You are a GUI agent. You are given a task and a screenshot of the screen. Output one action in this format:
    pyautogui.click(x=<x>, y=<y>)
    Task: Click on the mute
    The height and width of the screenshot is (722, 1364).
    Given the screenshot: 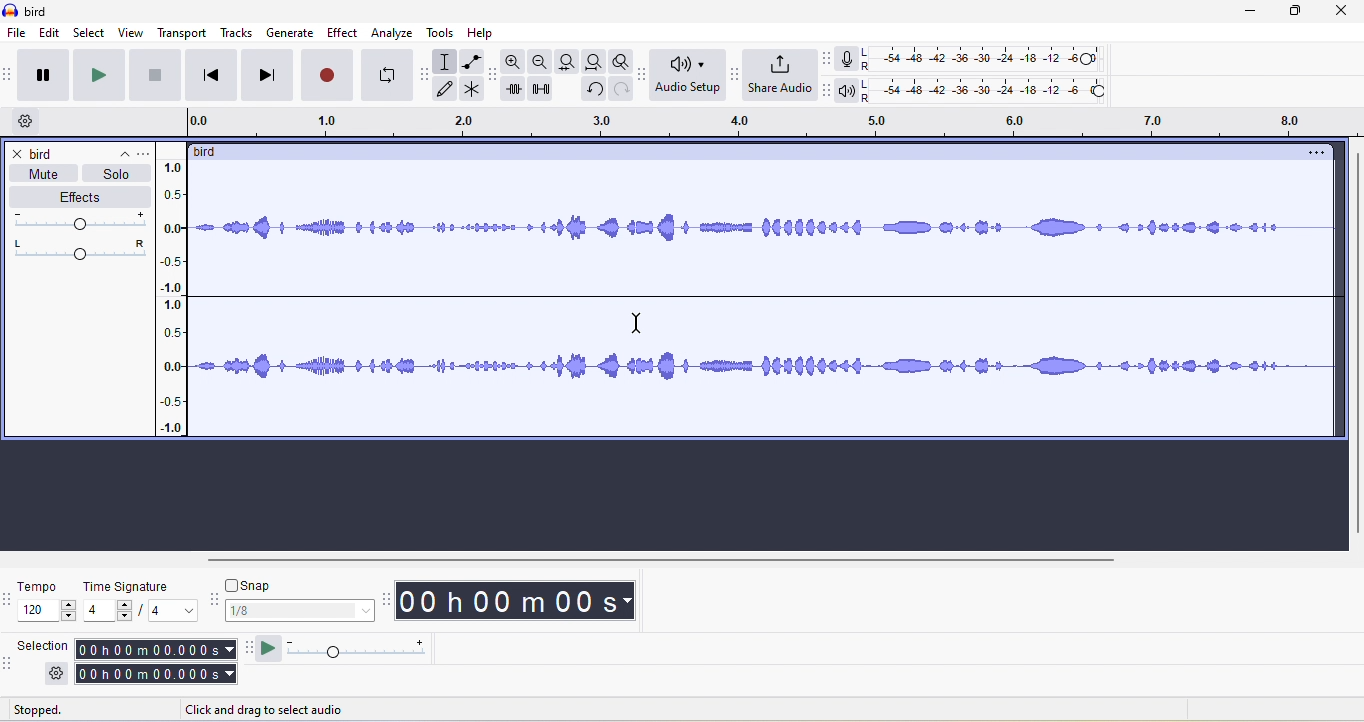 What is the action you would take?
    pyautogui.click(x=39, y=174)
    